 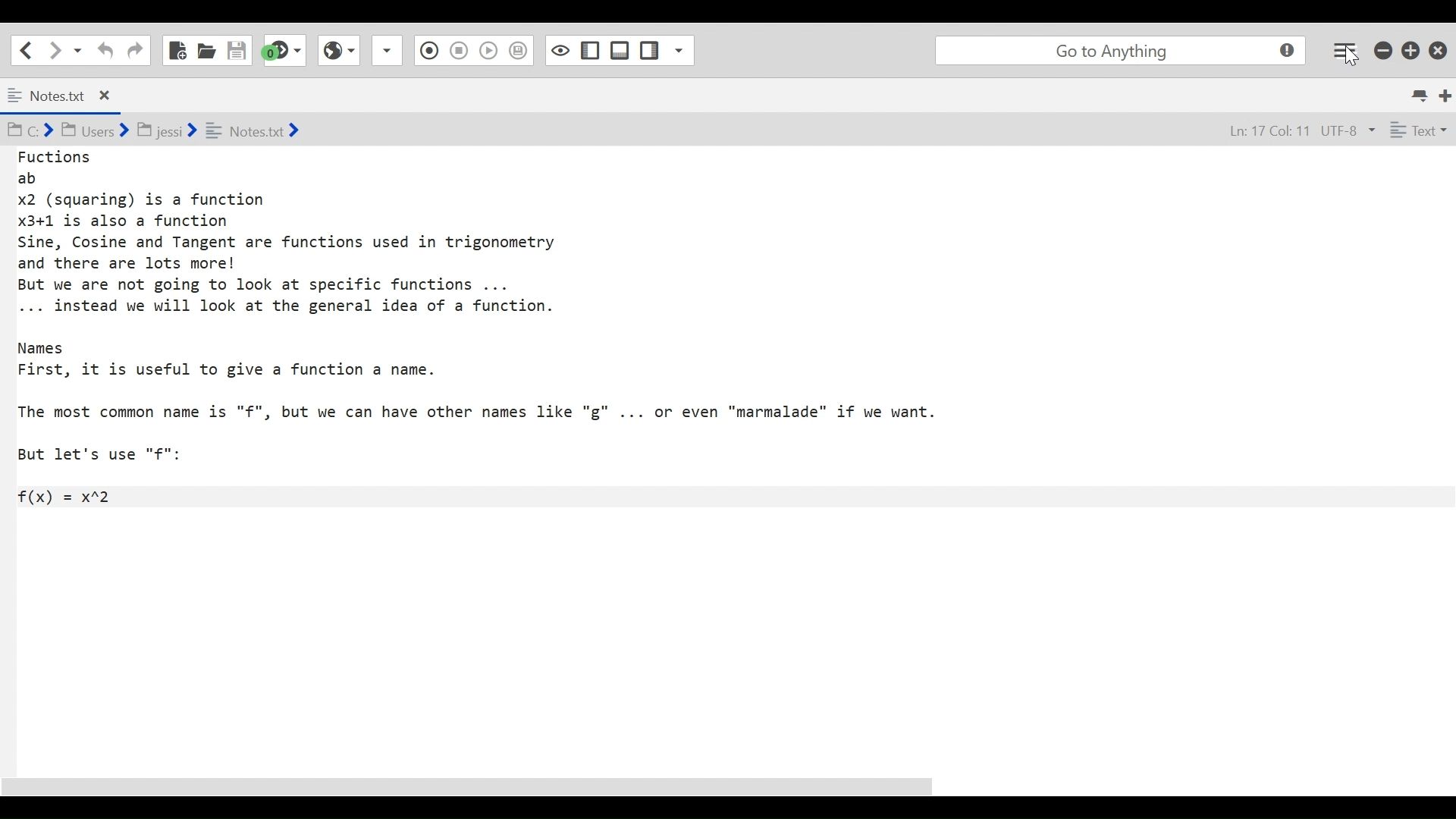 What do you see at coordinates (338, 49) in the screenshot?
I see `Play Last Macro` at bounding box center [338, 49].